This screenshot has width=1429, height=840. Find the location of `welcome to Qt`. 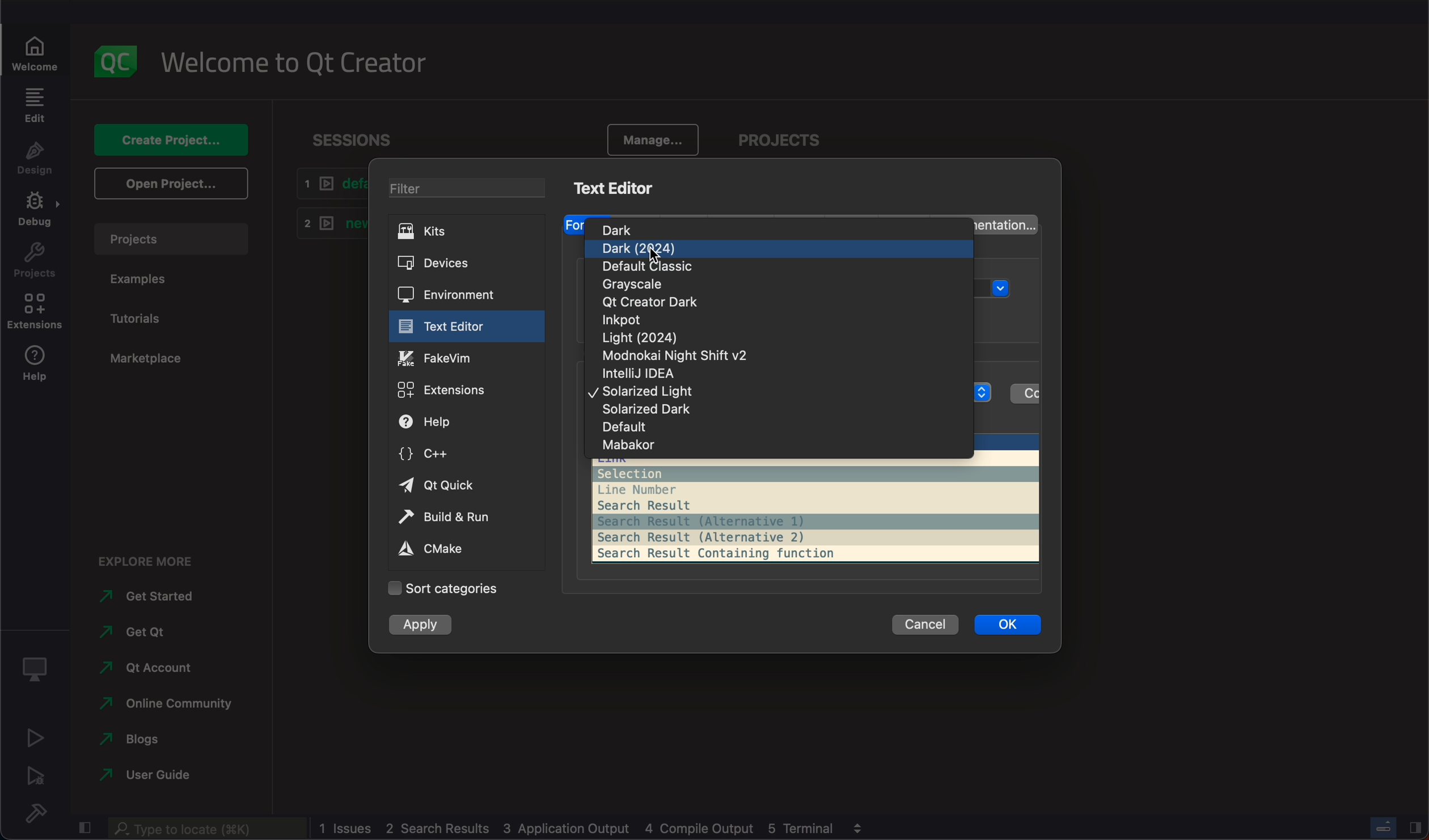

welcome to Qt is located at coordinates (303, 65).